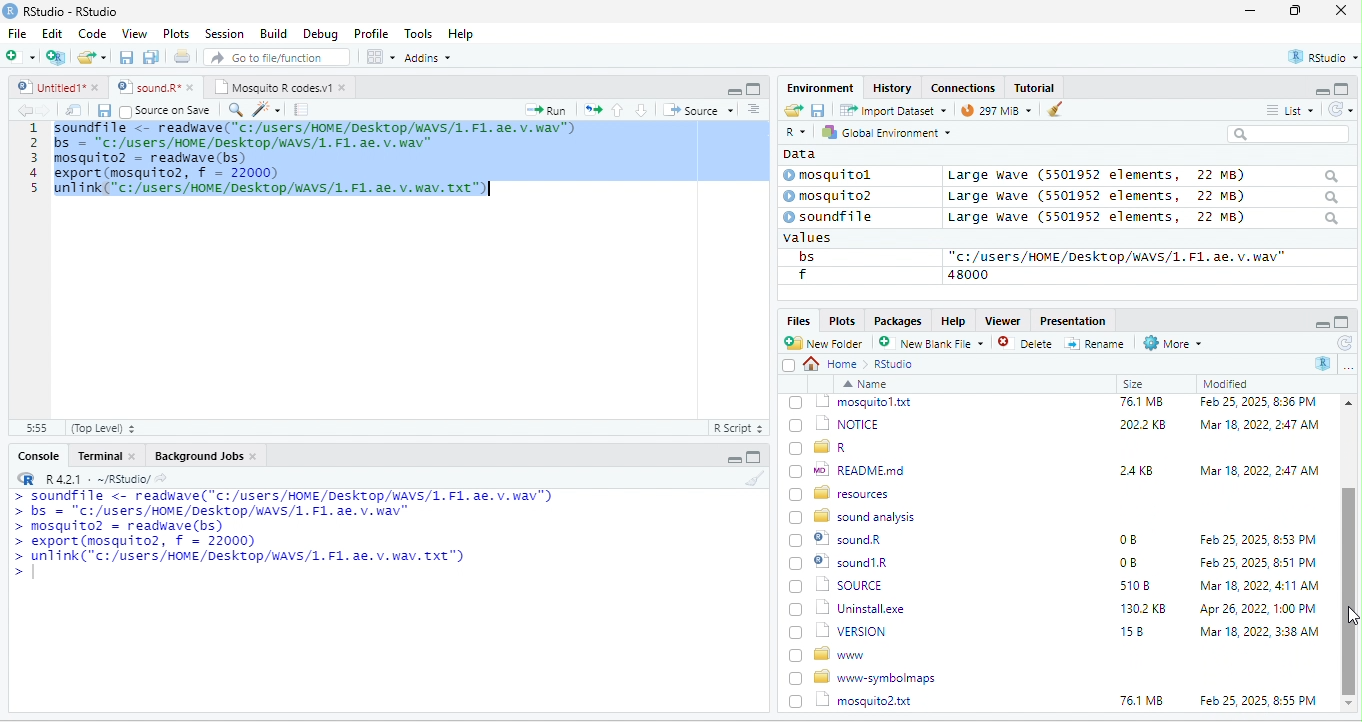 The image size is (1362, 722). I want to click on 349K8, so click(1140, 475).